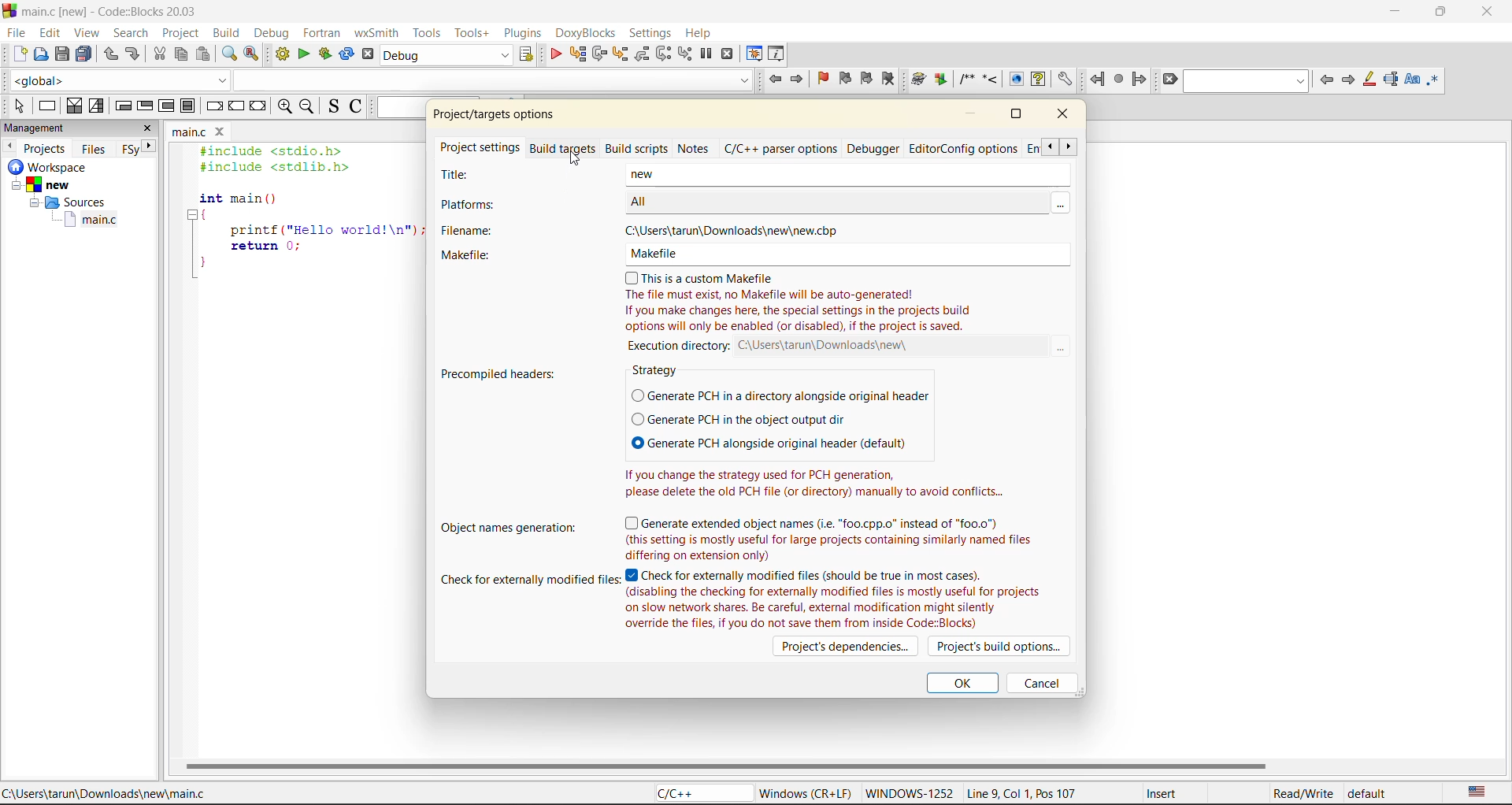  I want to click on text language, so click(1480, 792).